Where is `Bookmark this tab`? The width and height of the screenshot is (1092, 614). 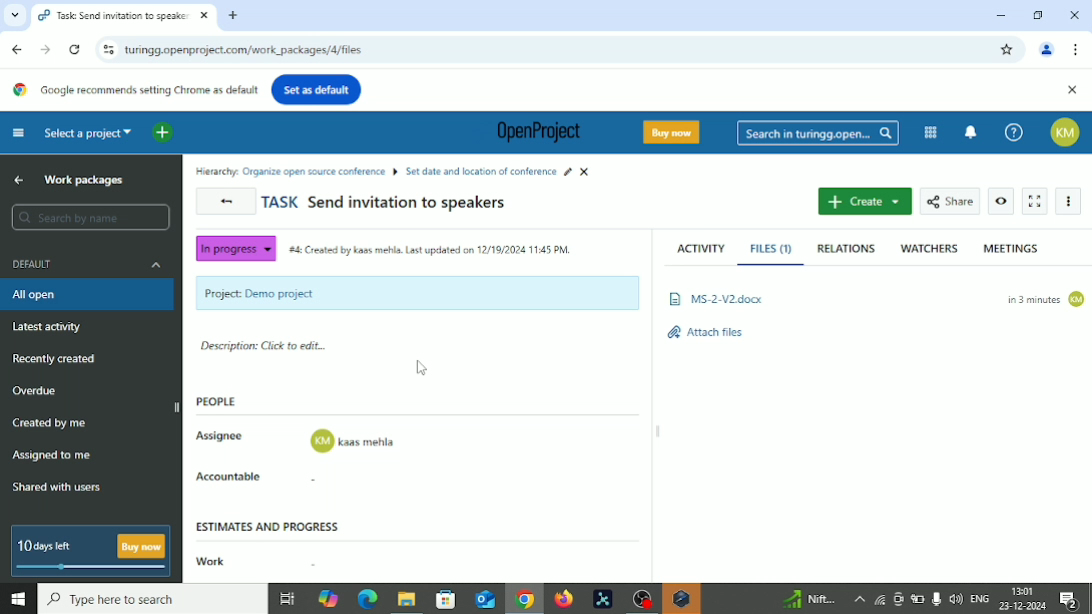 Bookmark this tab is located at coordinates (1007, 50).